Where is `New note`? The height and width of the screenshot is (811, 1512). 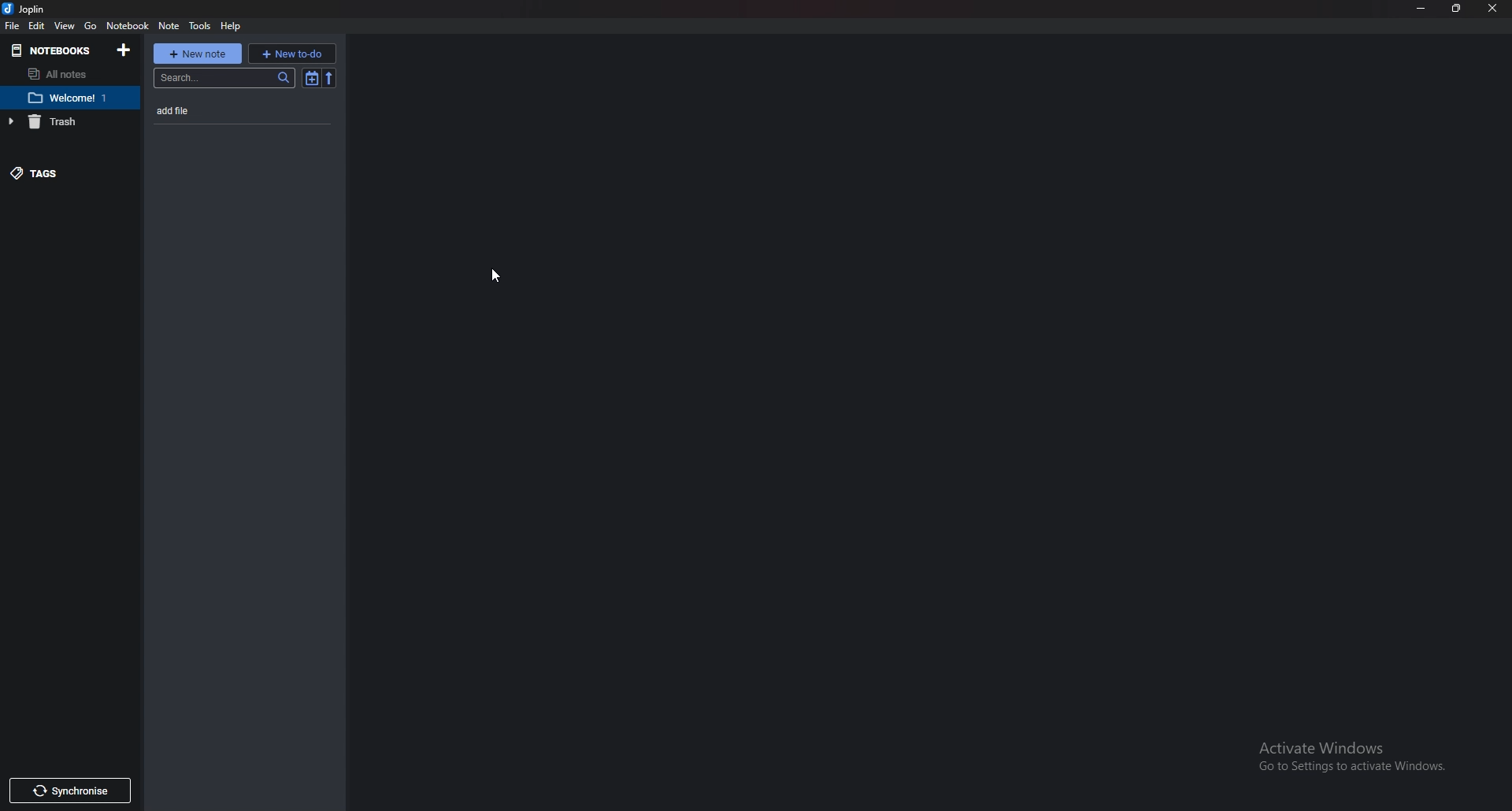 New note is located at coordinates (197, 52).